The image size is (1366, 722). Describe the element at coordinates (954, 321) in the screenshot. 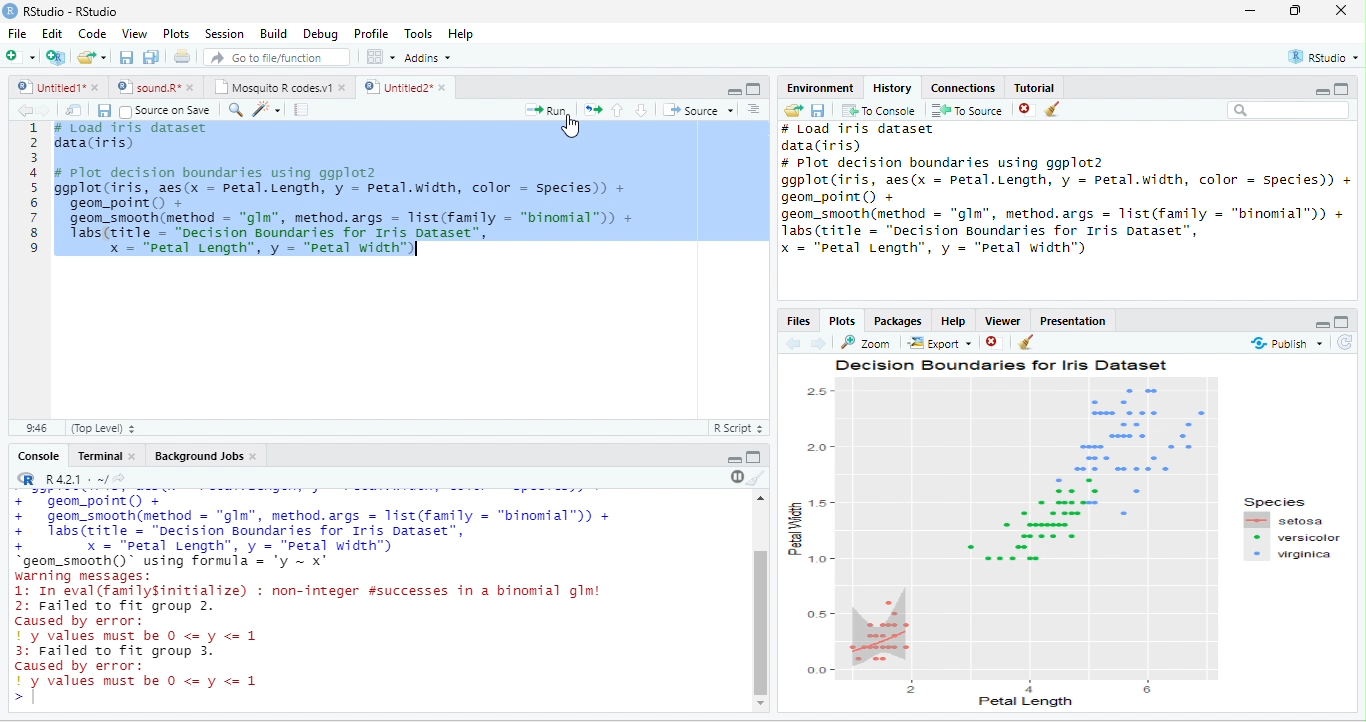

I see `Help` at that location.